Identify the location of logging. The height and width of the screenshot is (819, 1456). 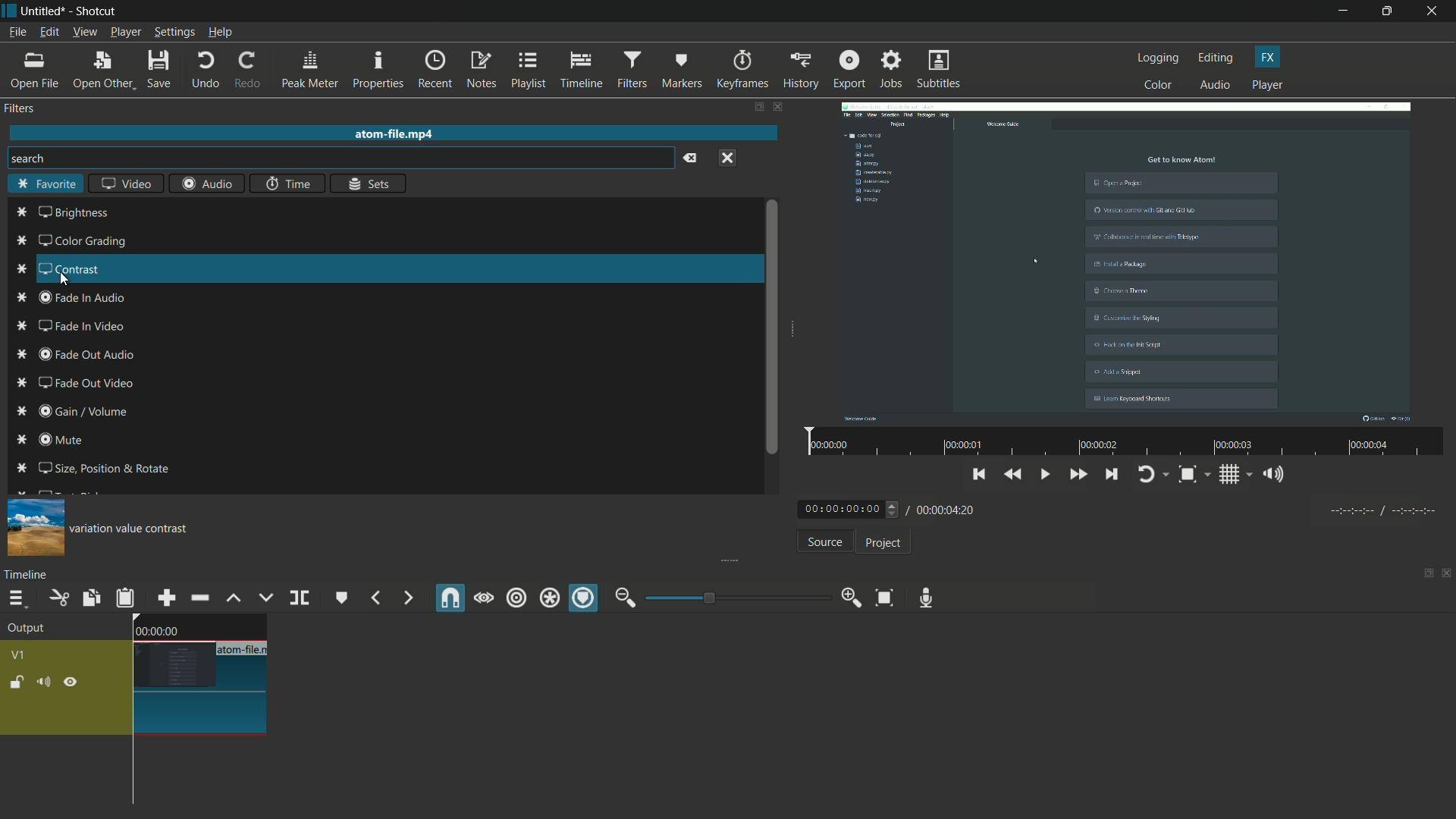
(1159, 58).